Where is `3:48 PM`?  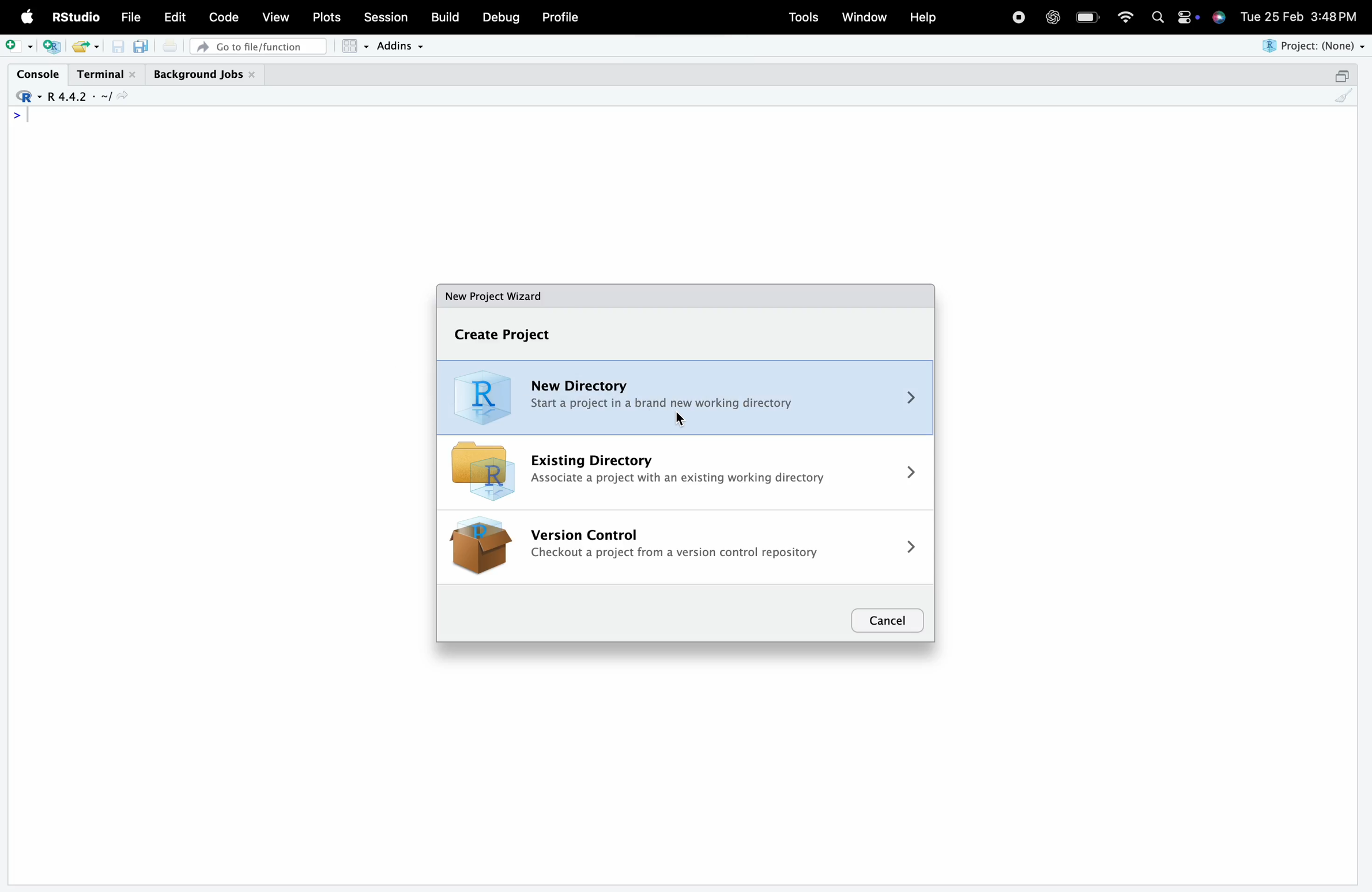
3:48 PM is located at coordinates (1335, 15).